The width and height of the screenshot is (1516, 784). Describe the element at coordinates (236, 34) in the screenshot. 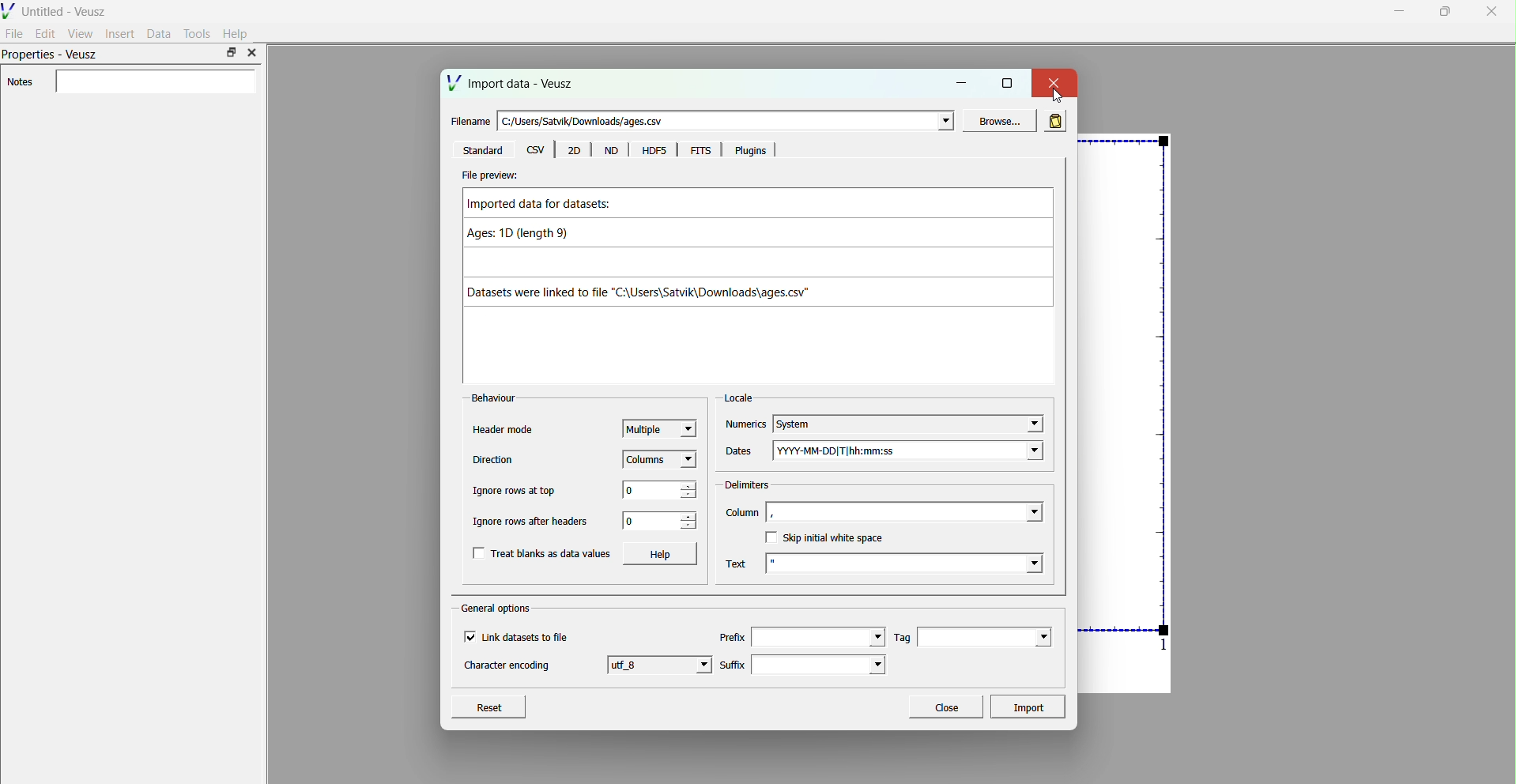

I see `Help` at that location.